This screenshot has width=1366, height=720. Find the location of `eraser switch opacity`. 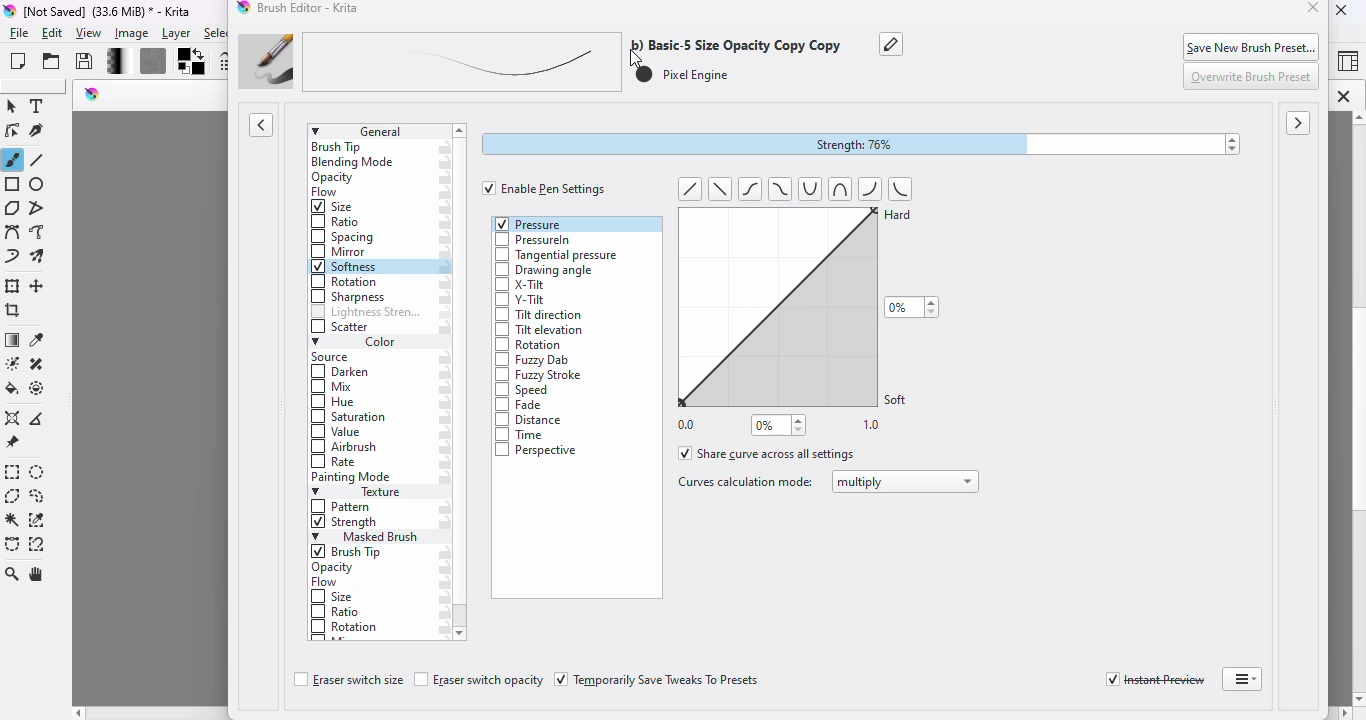

eraser switch opacity is located at coordinates (479, 680).